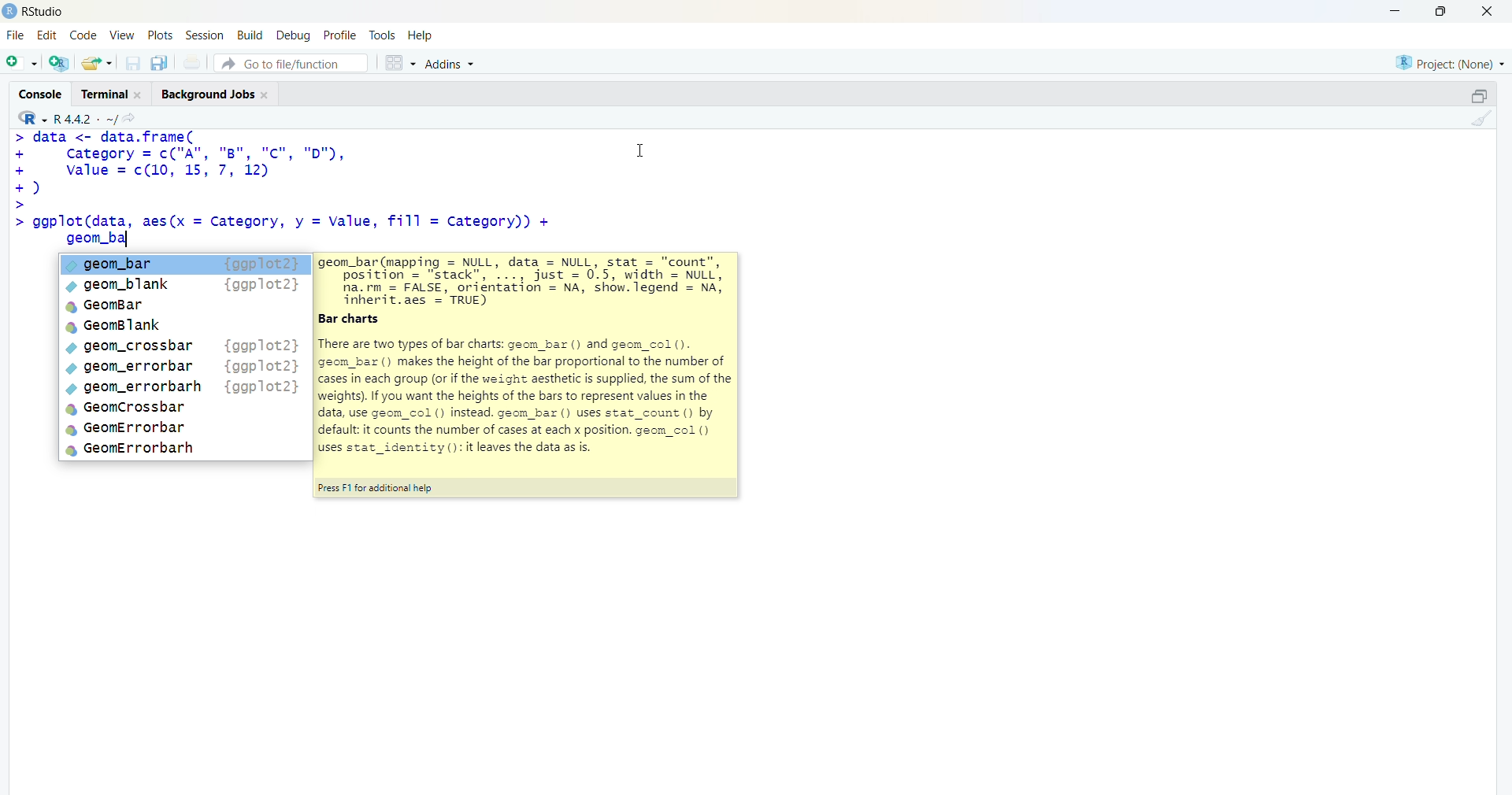 This screenshot has width=1512, height=795. Describe the element at coordinates (641, 148) in the screenshot. I see `Cursor` at that location.